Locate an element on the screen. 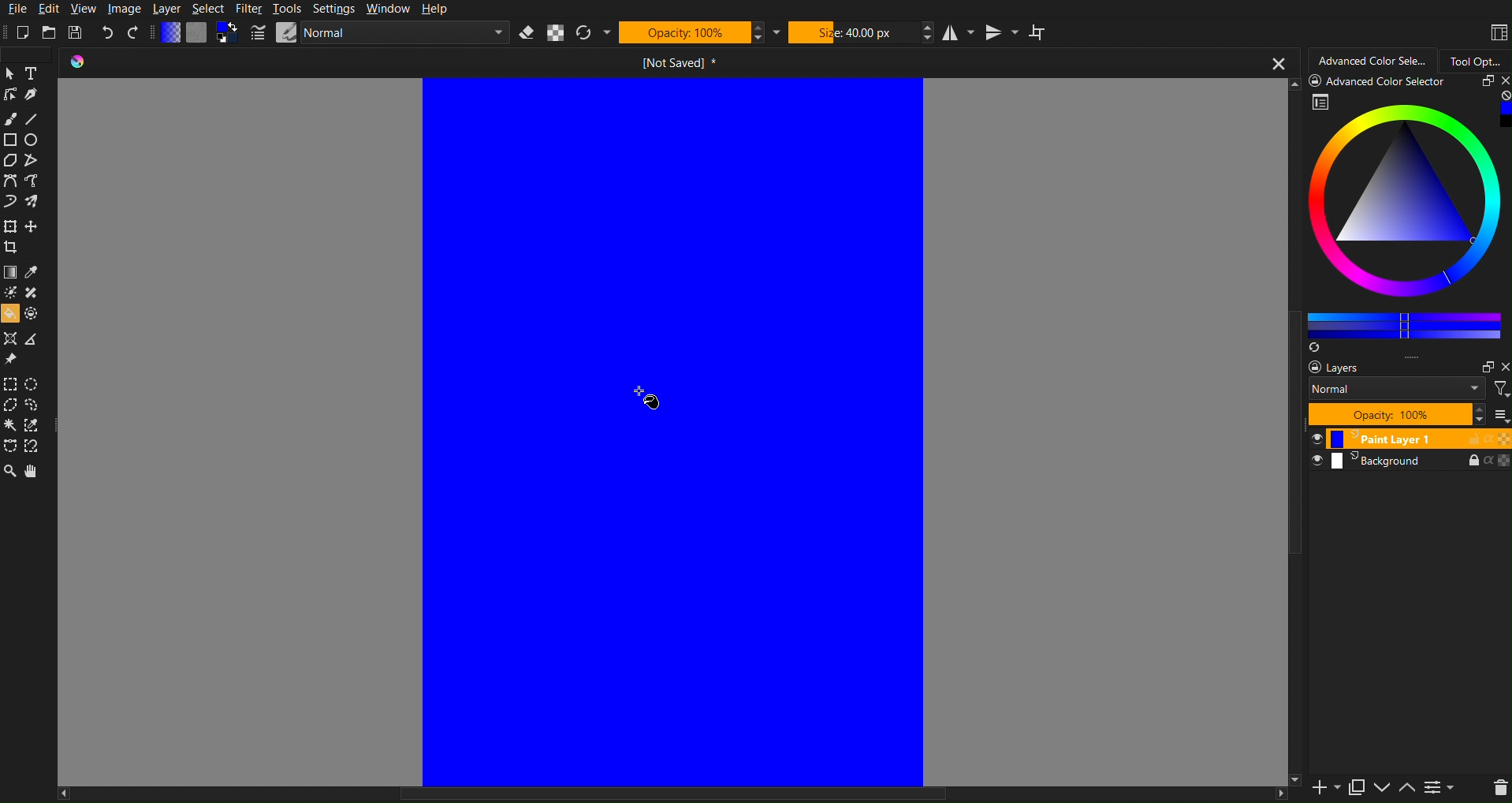 This screenshot has height=803, width=1512. Delete is located at coordinates (1498, 787).